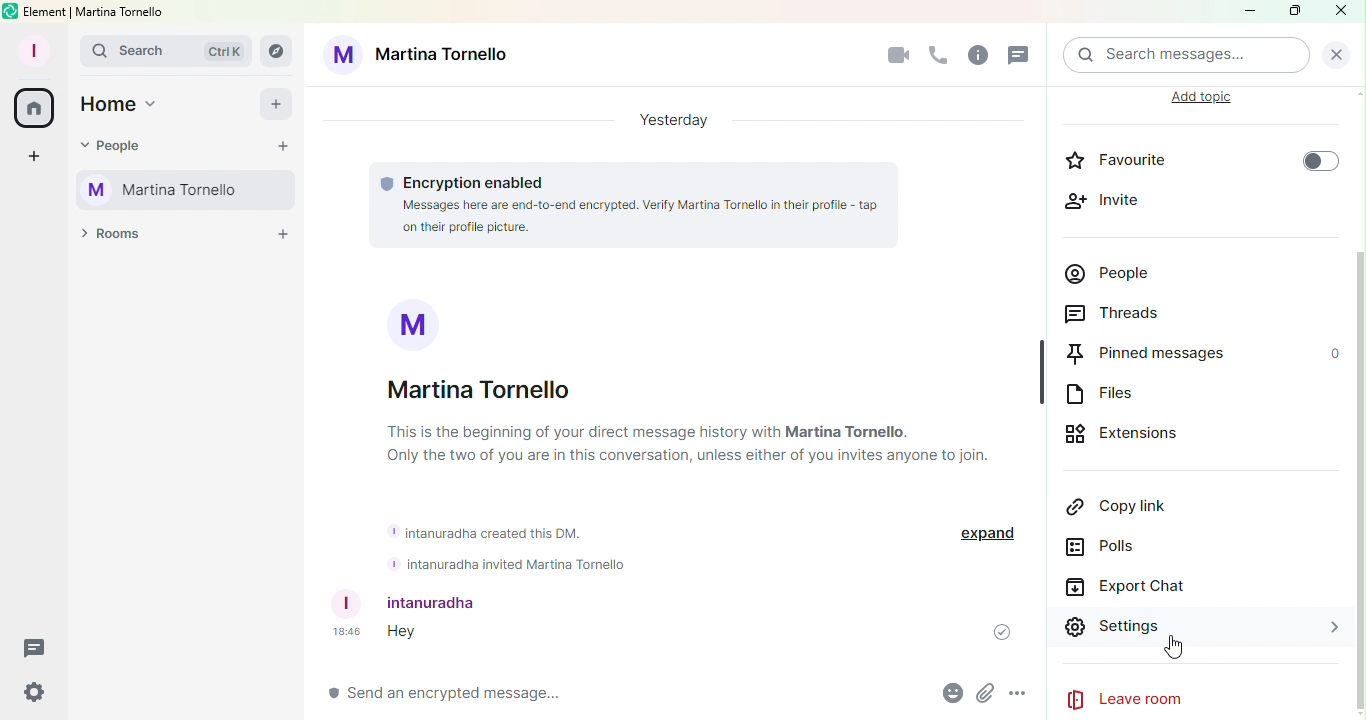  What do you see at coordinates (939, 55) in the screenshot?
I see `Call` at bounding box center [939, 55].